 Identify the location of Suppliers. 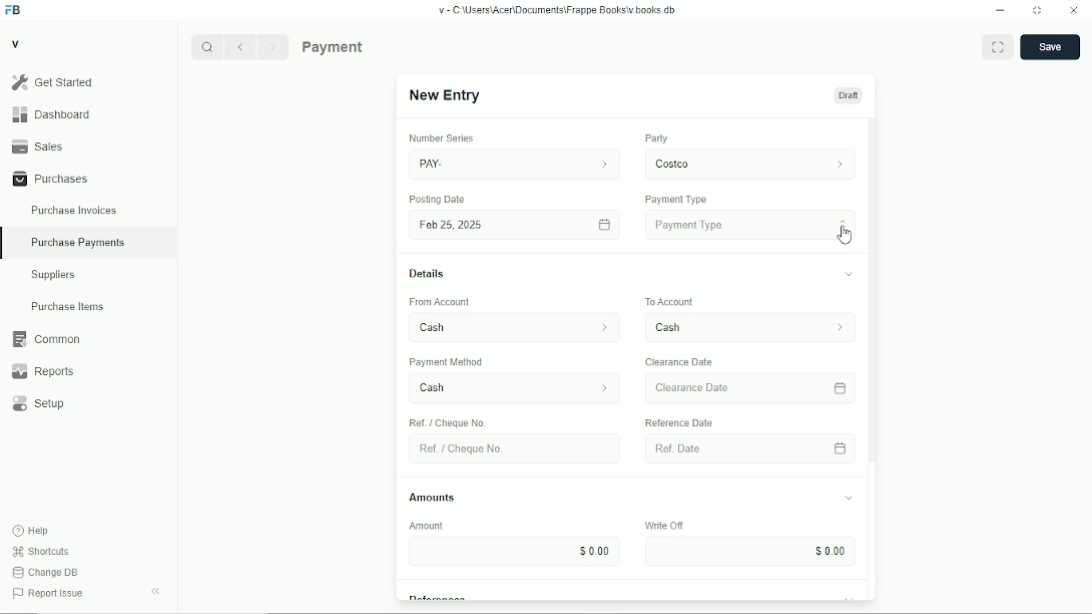
(89, 275).